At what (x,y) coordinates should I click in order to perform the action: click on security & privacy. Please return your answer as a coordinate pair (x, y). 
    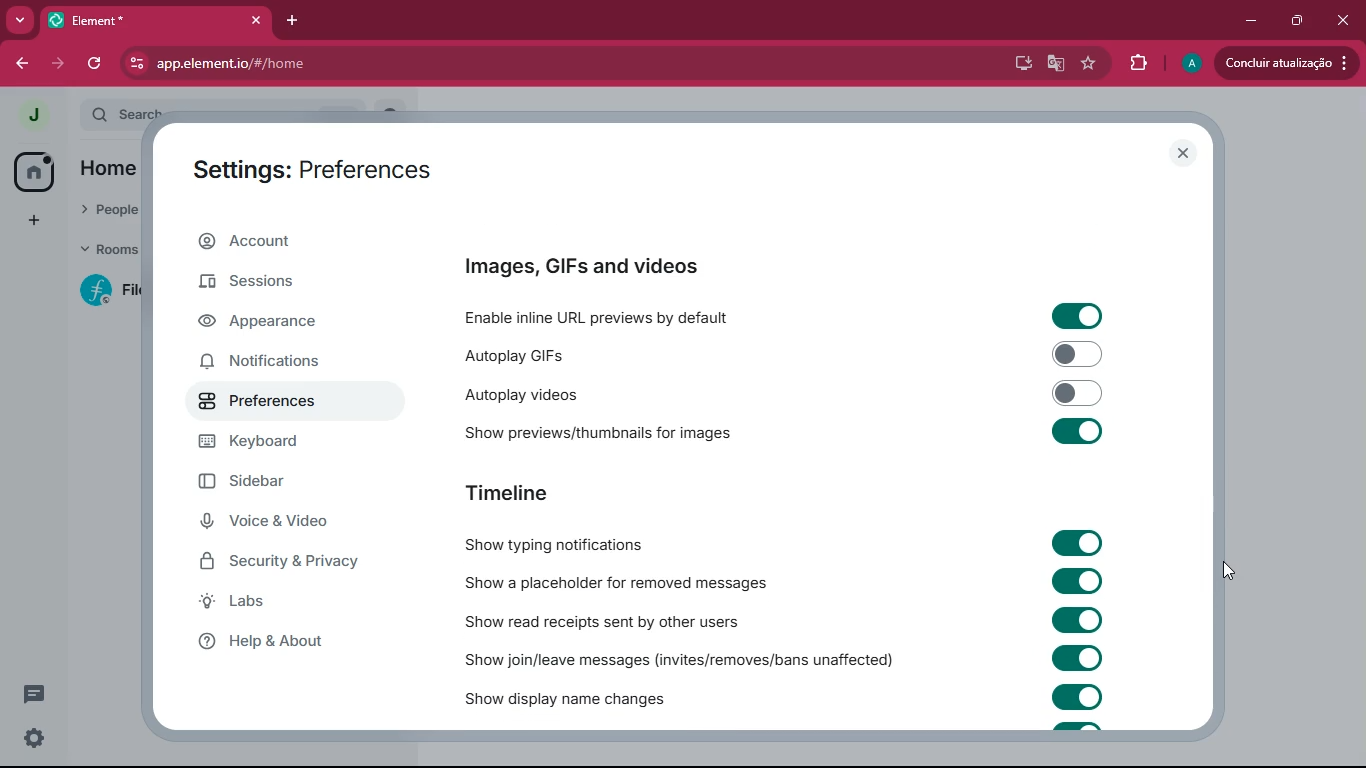
    Looking at the image, I should click on (292, 559).